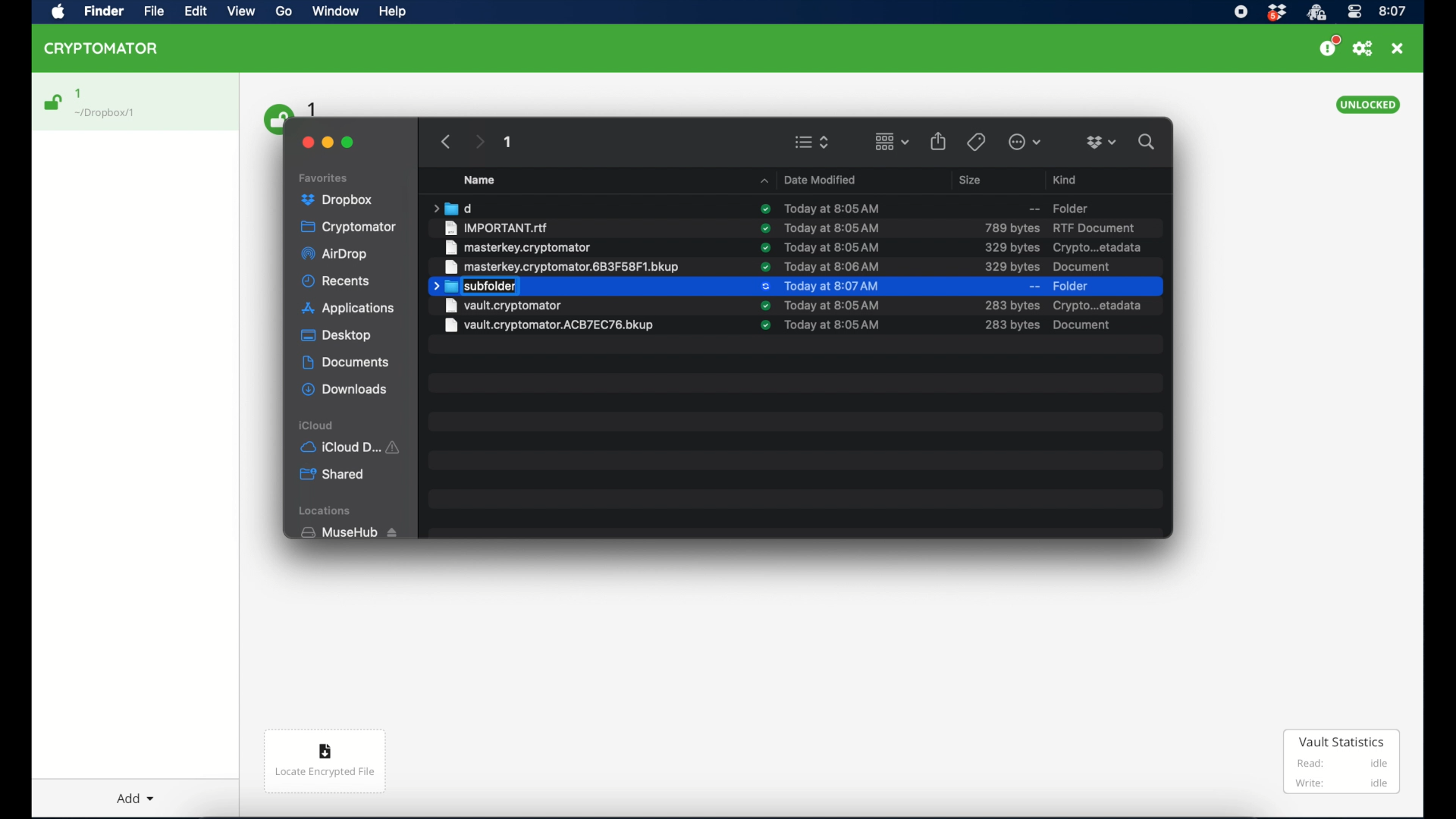 This screenshot has height=819, width=1456. I want to click on cryptomator, so click(350, 227).